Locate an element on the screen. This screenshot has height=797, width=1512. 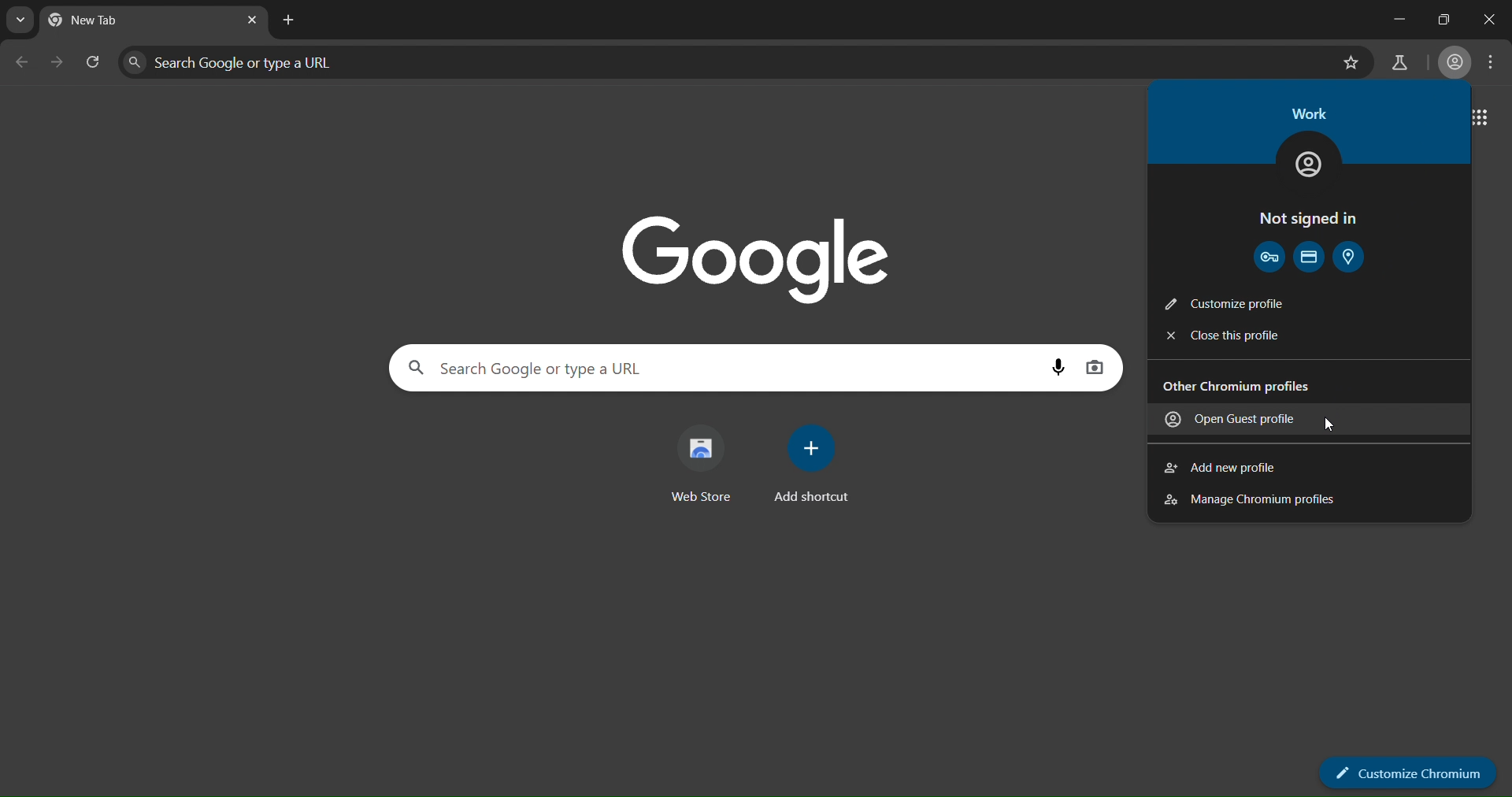
Other Chromium profiles is located at coordinates (1240, 387).